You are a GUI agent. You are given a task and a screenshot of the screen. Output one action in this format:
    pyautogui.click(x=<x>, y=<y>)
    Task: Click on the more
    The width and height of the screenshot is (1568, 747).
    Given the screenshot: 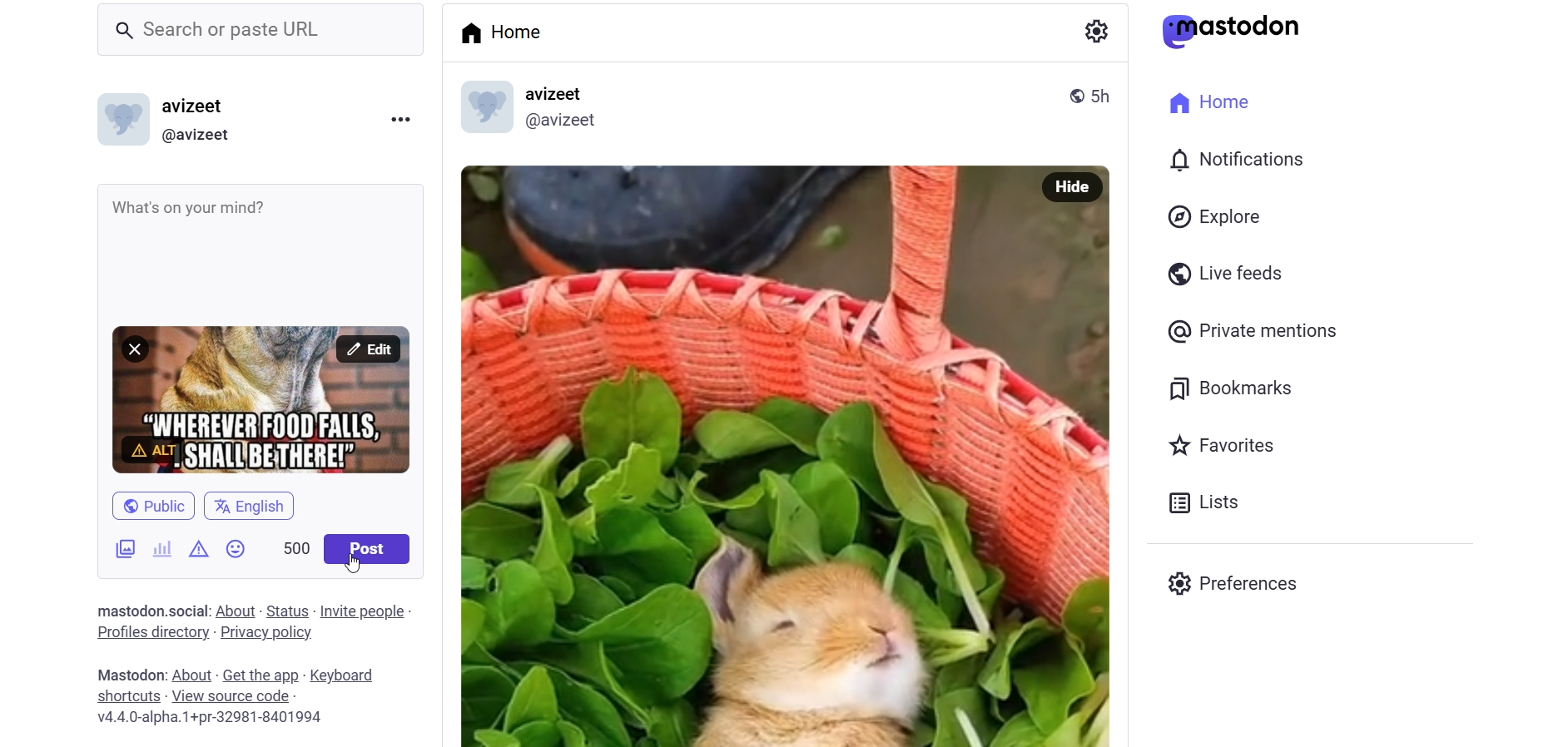 What is the action you would take?
    pyautogui.click(x=408, y=121)
    